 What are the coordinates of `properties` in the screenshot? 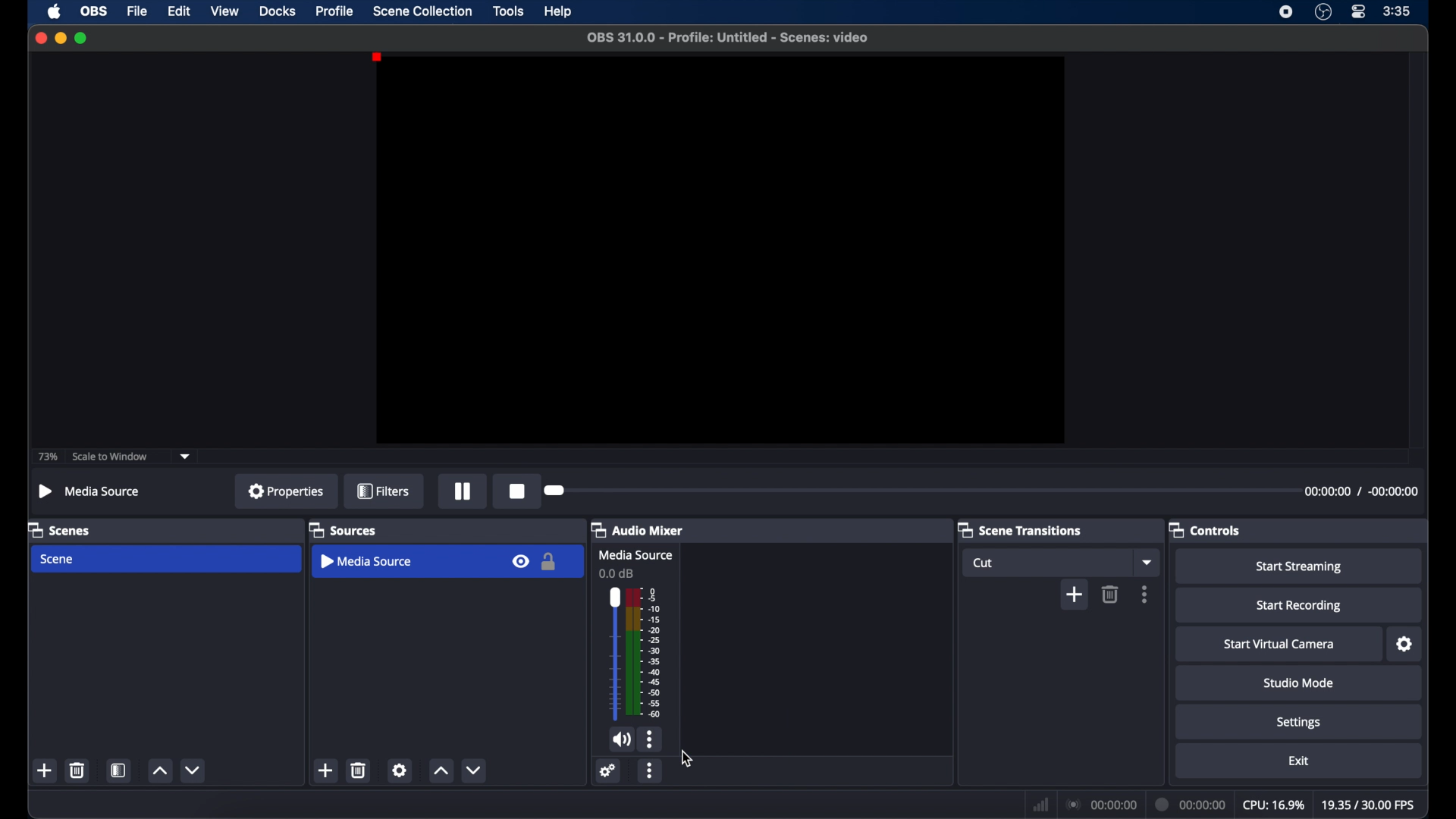 It's located at (287, 491).